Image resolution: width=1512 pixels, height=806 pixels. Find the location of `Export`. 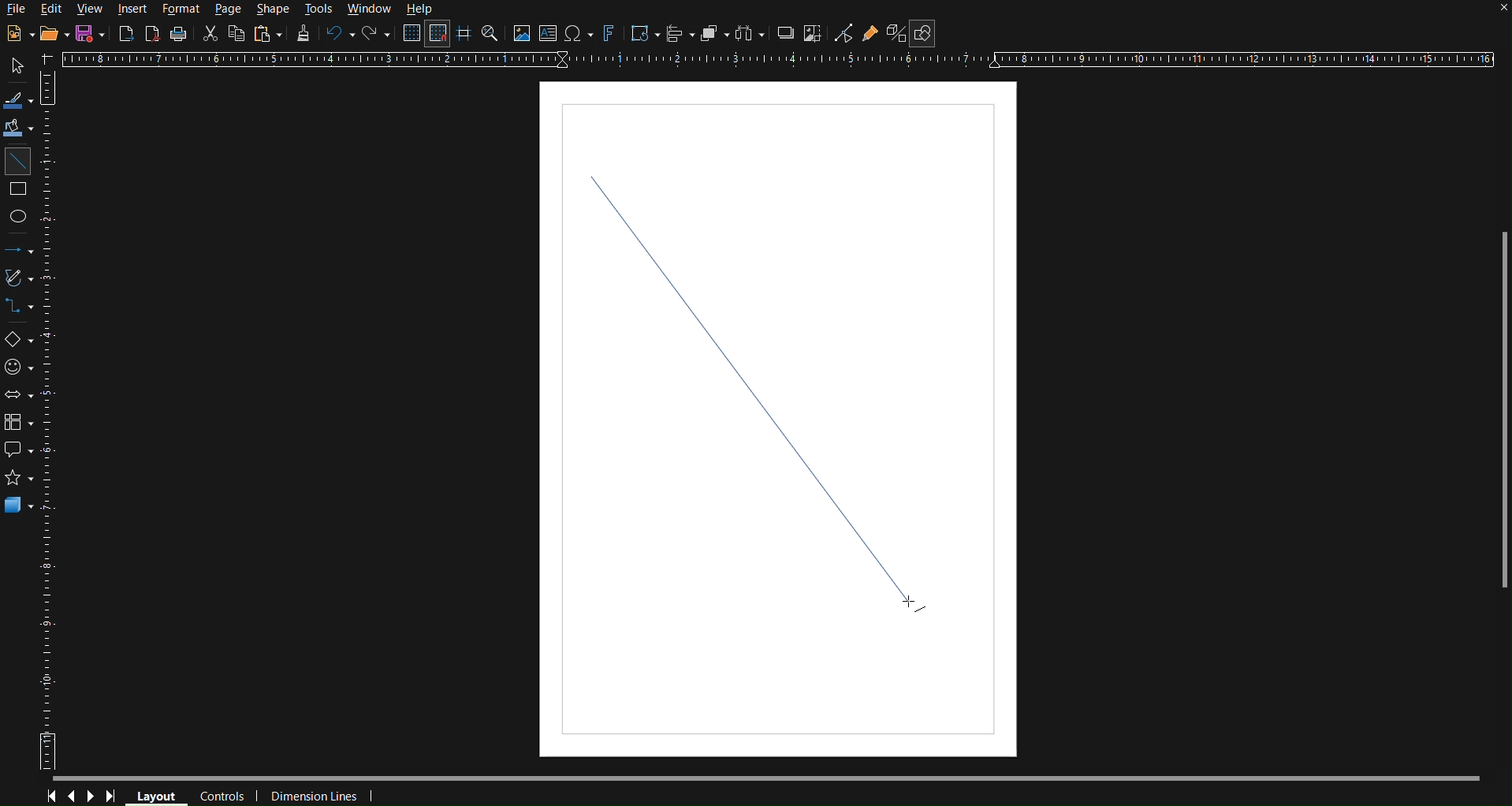

Export is located at coordinates (126, 33).